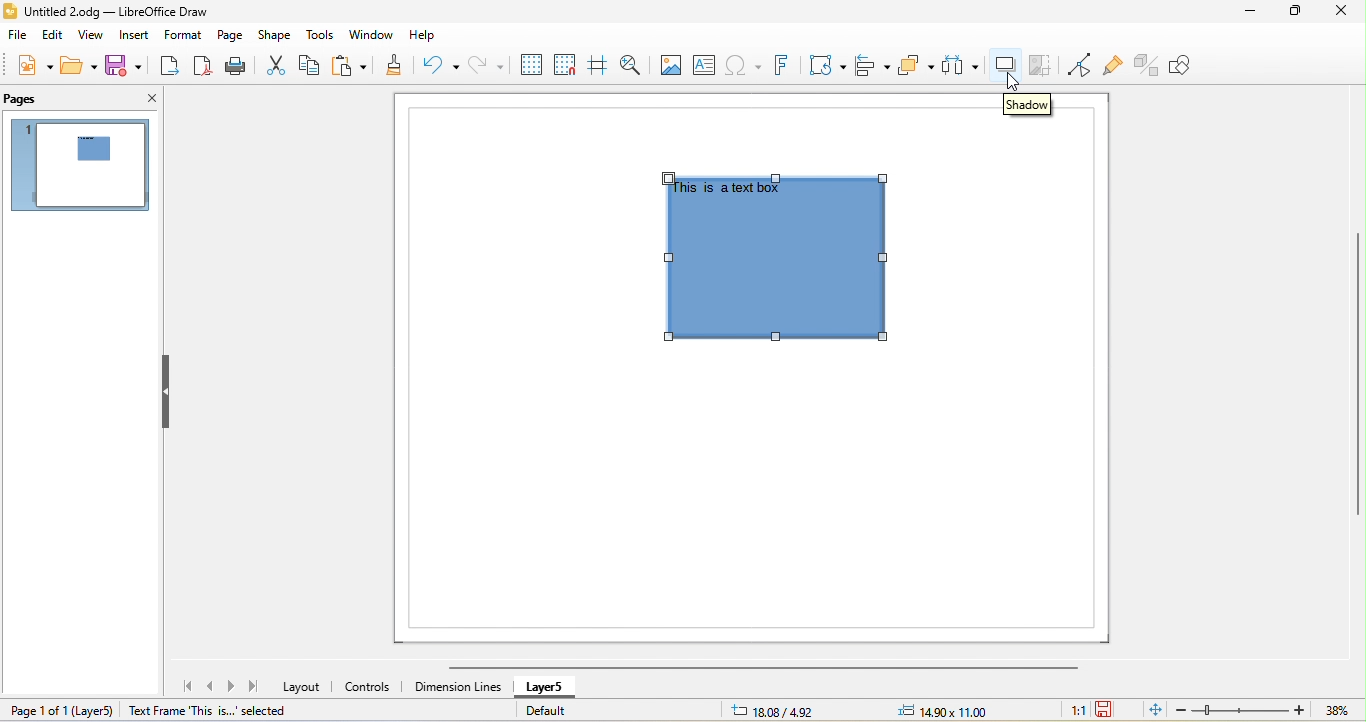 The height and width of the screenshot is (722, 1366). What do you see at coordinates (166, 390) in the screenshot?
I see `hide` at bounding box center [166, 390].